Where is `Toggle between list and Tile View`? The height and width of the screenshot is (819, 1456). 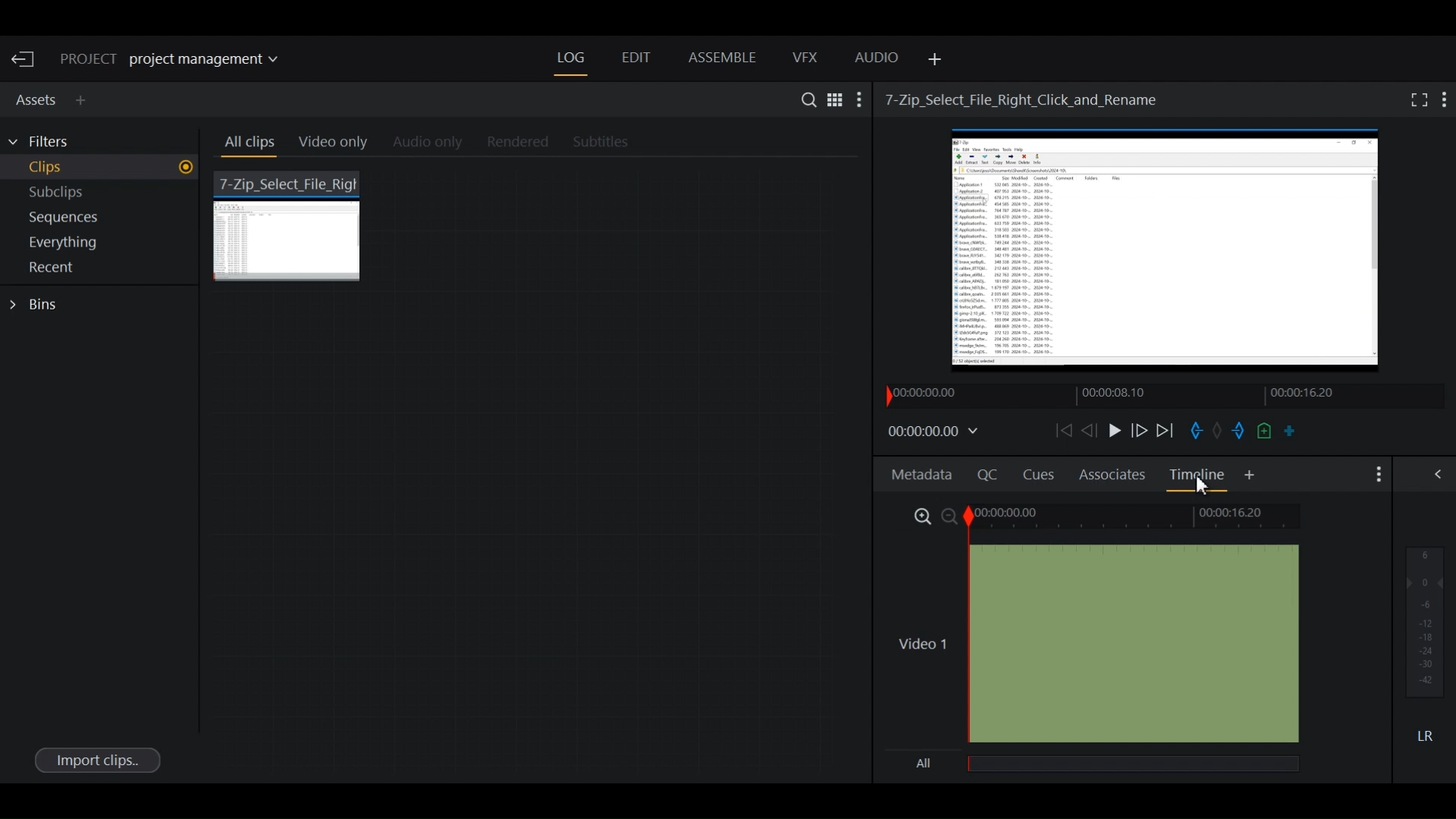
Toggle between list and Tile View is located at coordinates (833, 99).